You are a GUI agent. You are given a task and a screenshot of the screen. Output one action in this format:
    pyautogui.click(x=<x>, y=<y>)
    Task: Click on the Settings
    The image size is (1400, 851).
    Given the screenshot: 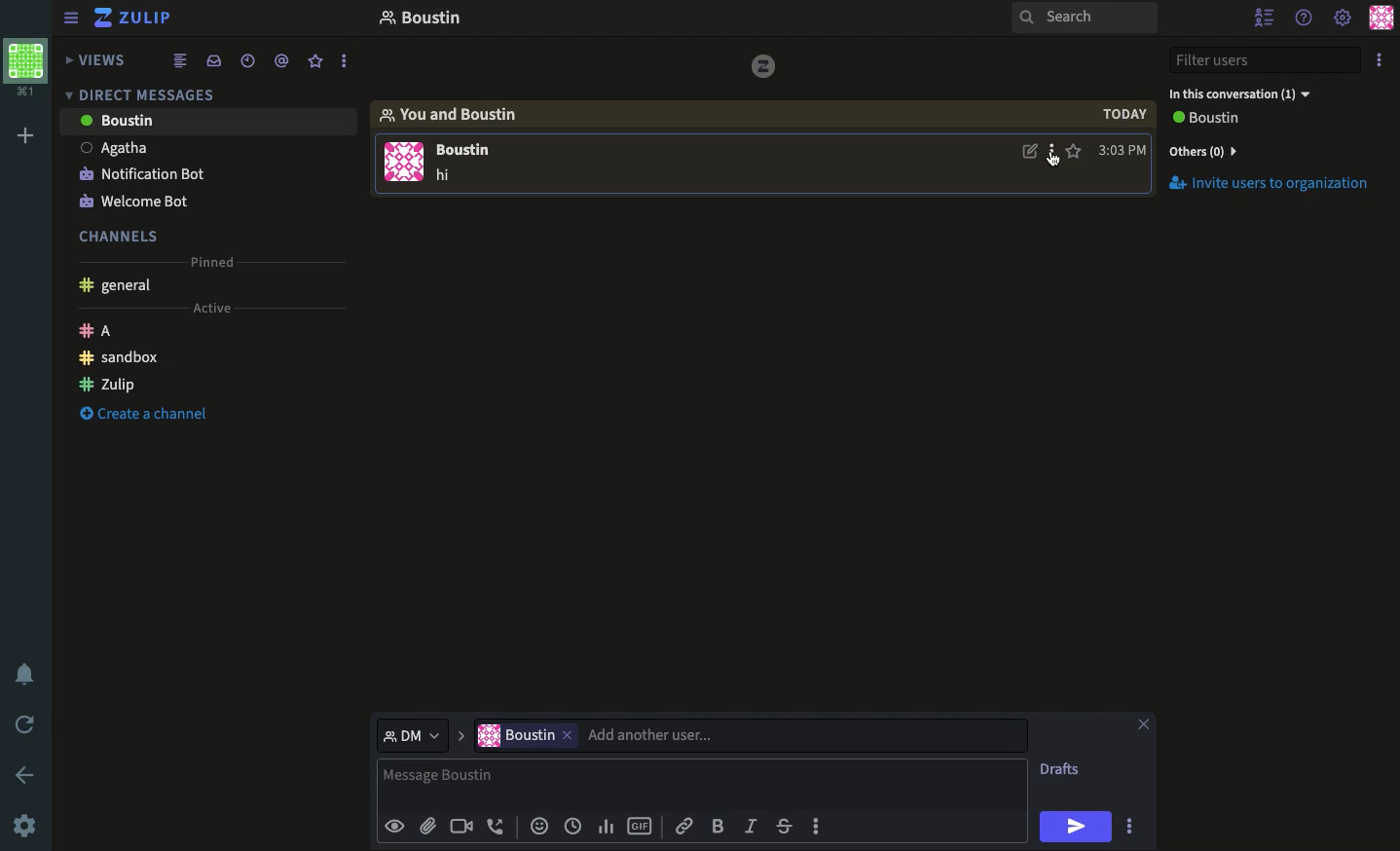 What is the action you would take?
    pyautogui.click(x=1342, y=18)
    